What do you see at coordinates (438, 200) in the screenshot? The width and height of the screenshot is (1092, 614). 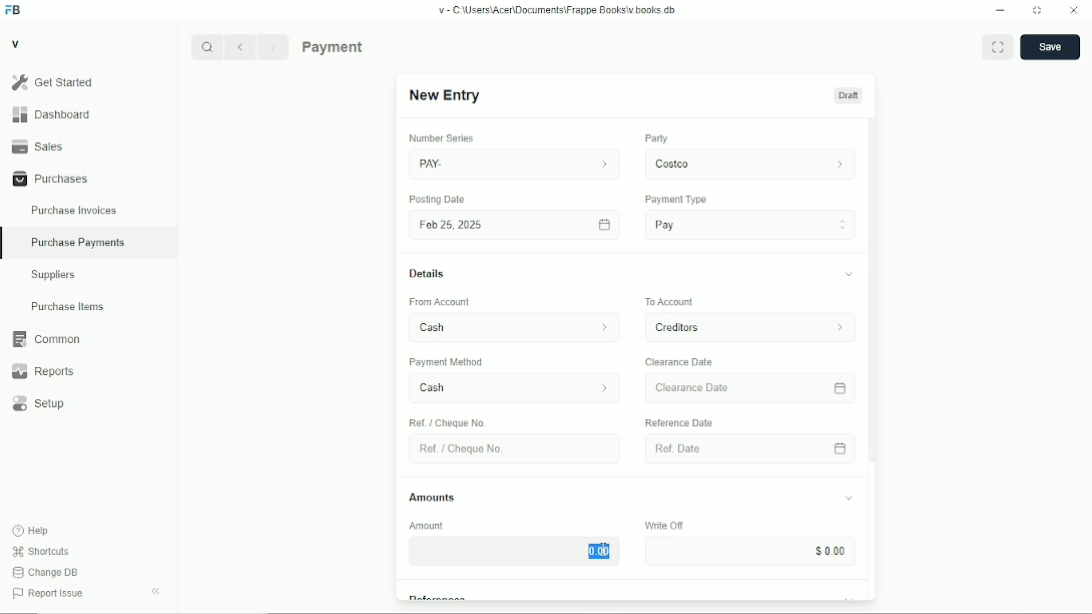 I see `Posting Date` at bounding box center [438, 200].